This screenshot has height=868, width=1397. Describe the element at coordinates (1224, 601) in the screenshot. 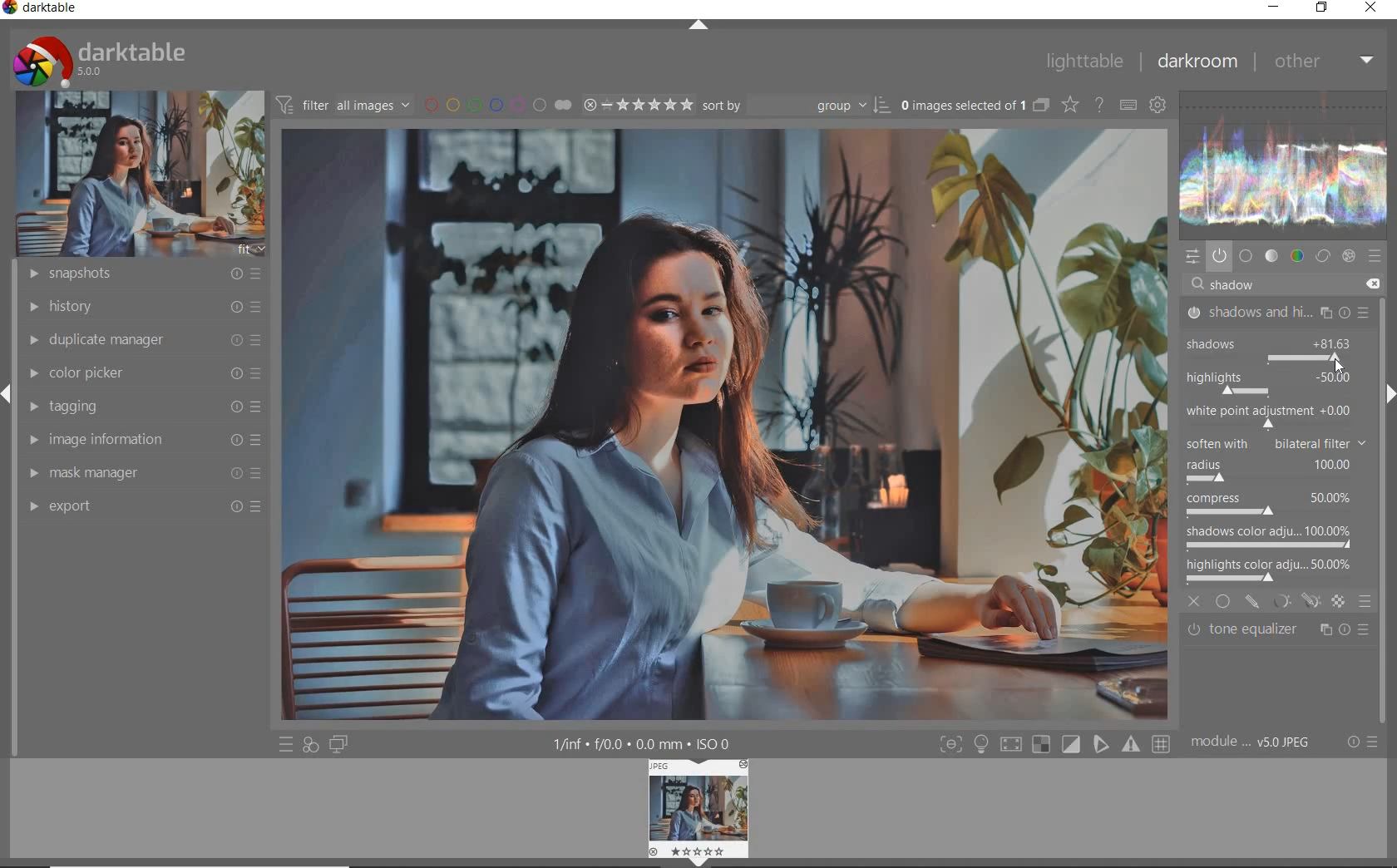

I see `uniformly` at that location.